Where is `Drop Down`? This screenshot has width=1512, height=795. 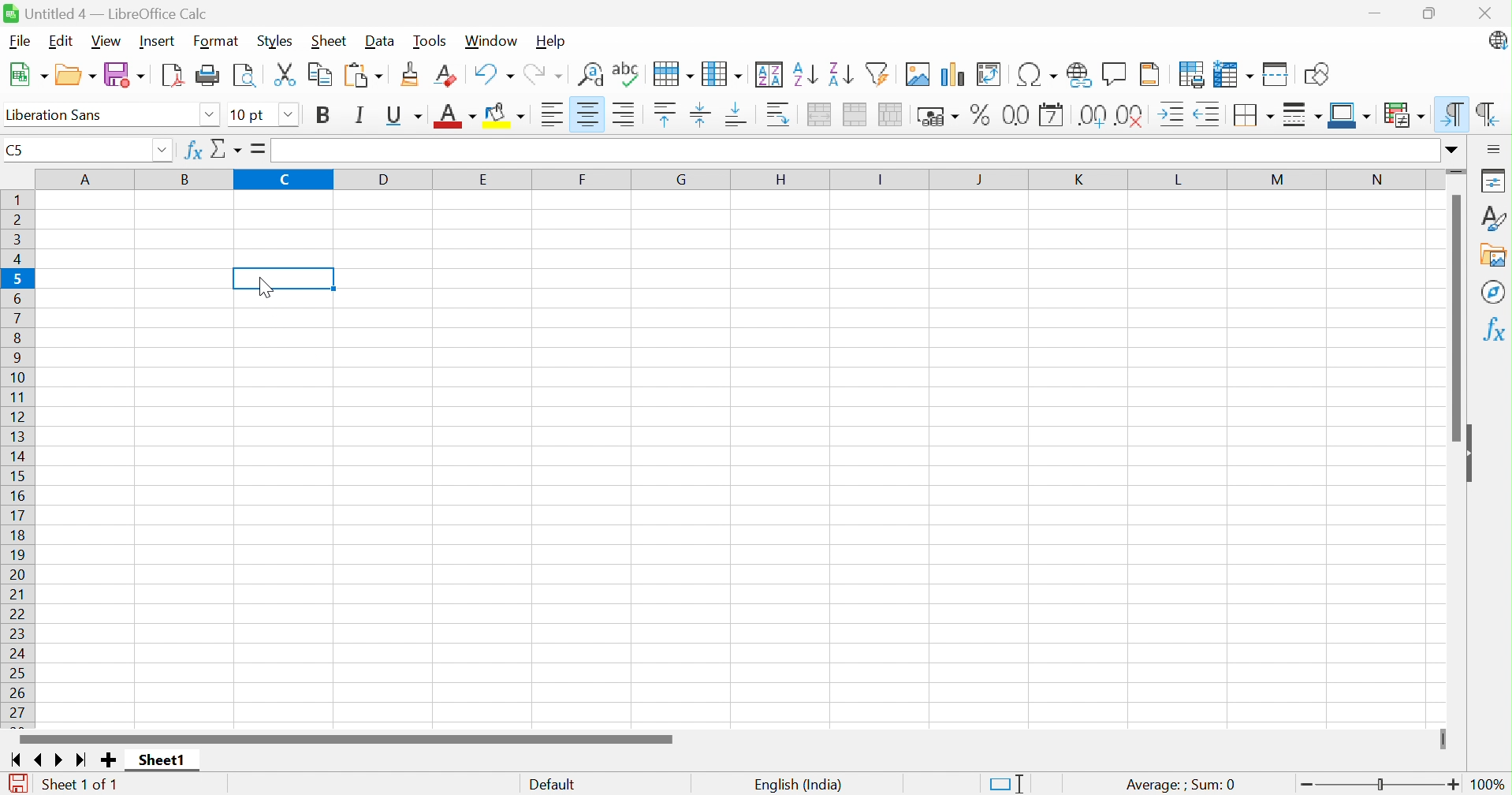
Drop Down is located at coordinates (288, 113).